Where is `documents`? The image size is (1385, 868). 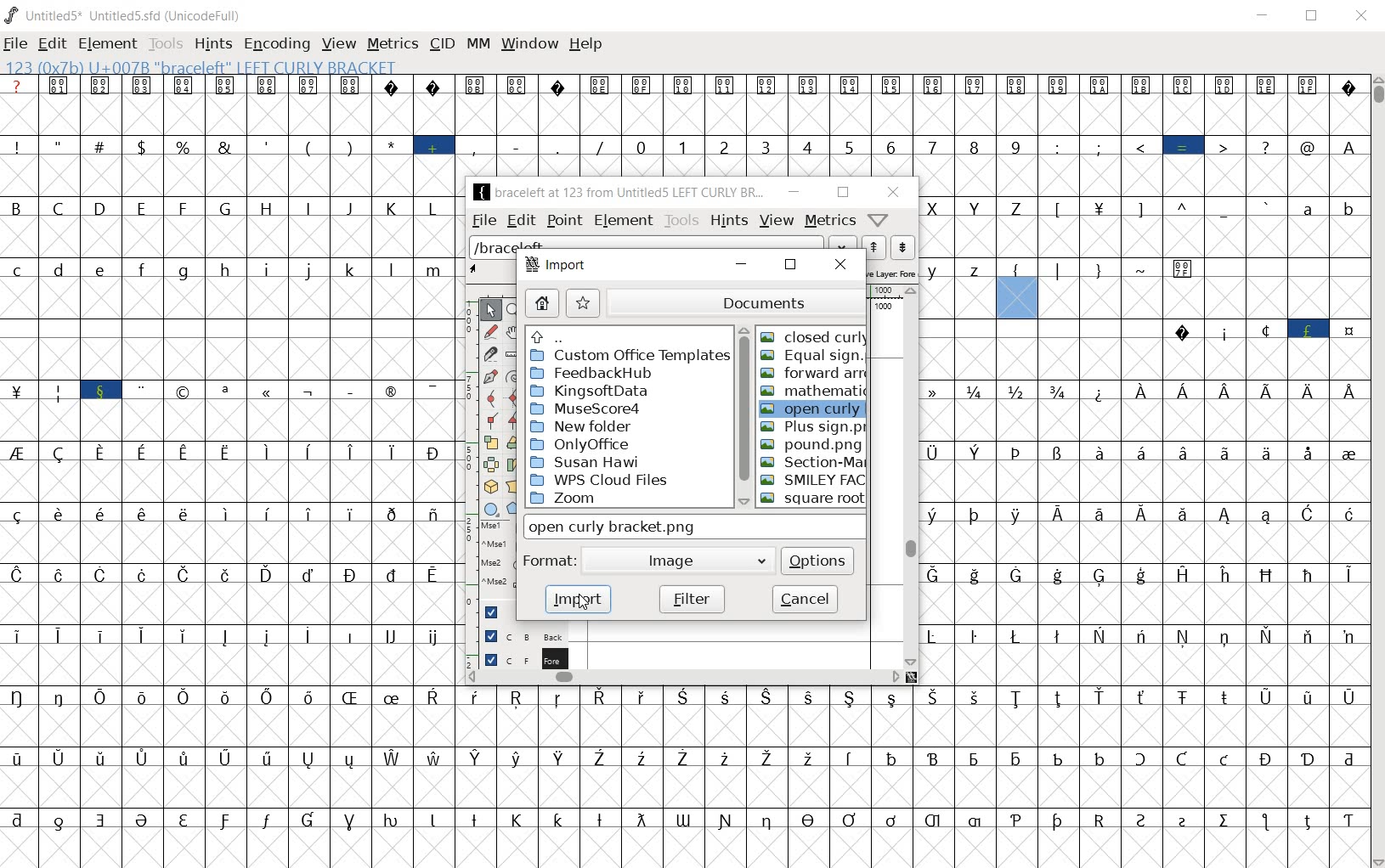
documents is located at coordinates (738, 303).